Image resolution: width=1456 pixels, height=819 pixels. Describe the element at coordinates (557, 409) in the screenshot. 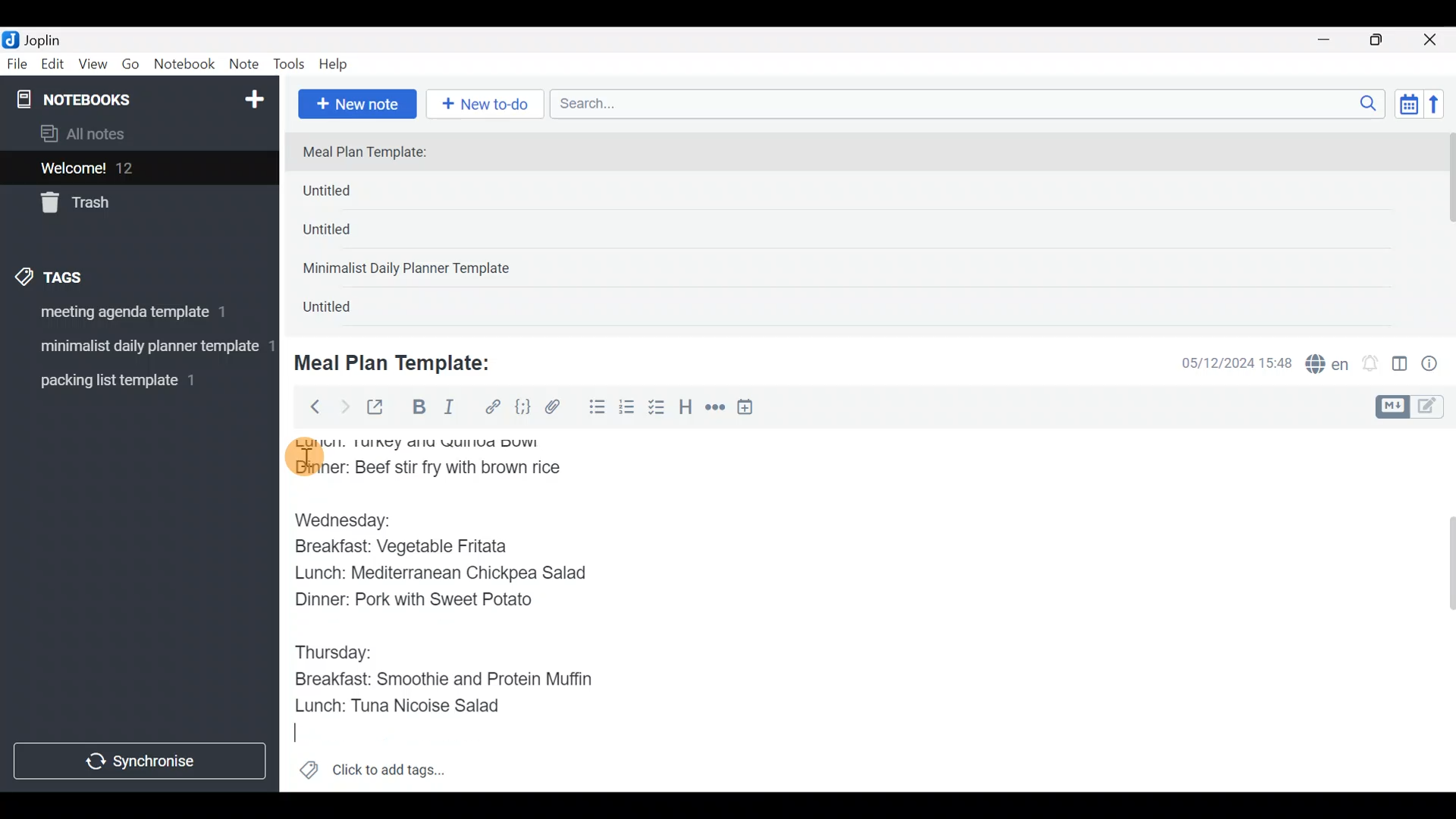

I see `Attach file` at that location.